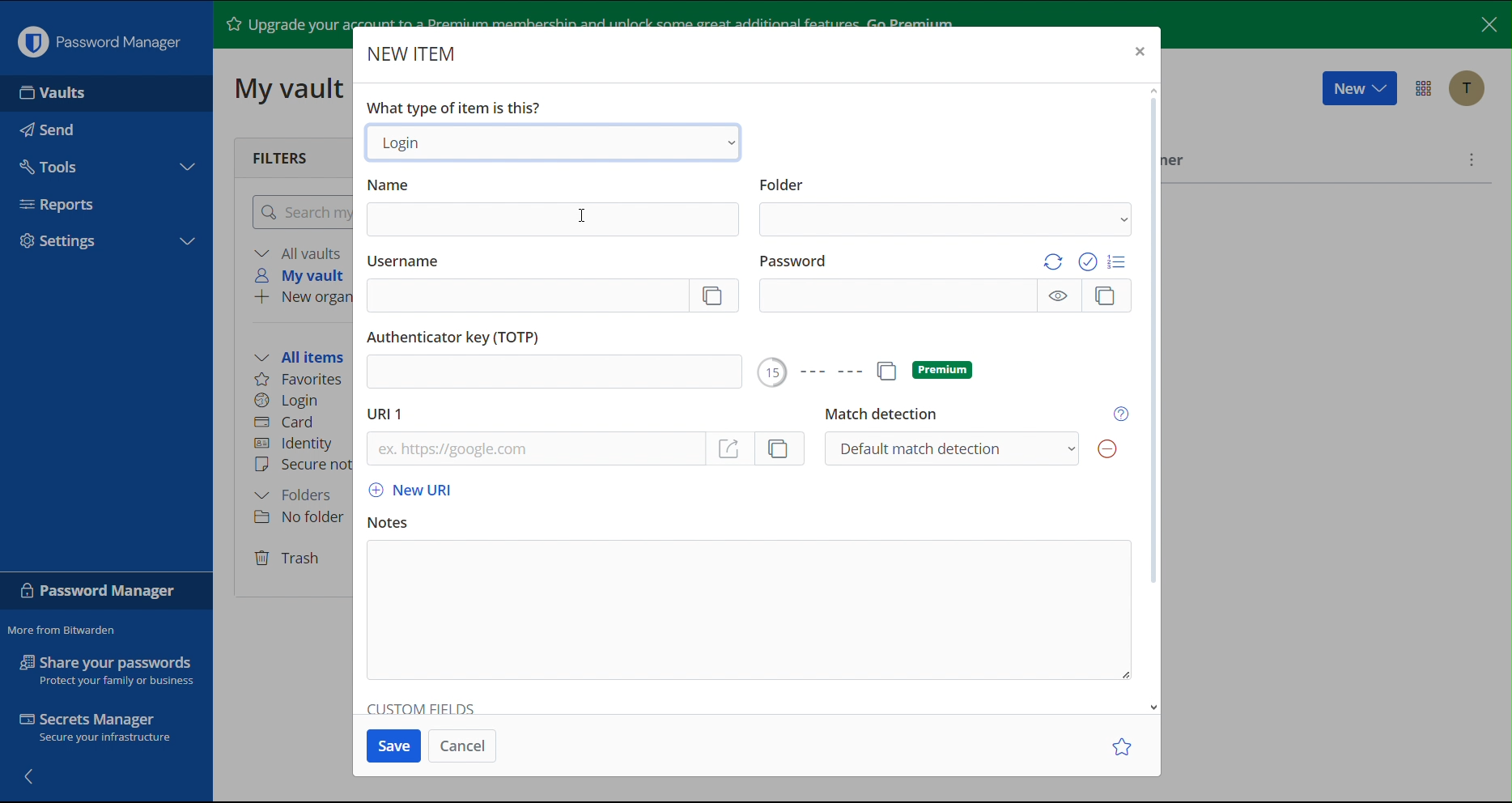 This screenshot has height=803, width=1512. What do you see at coordinates (752, 603) in the screenshot?
I see `Notes` at bounding box center [752, 603].